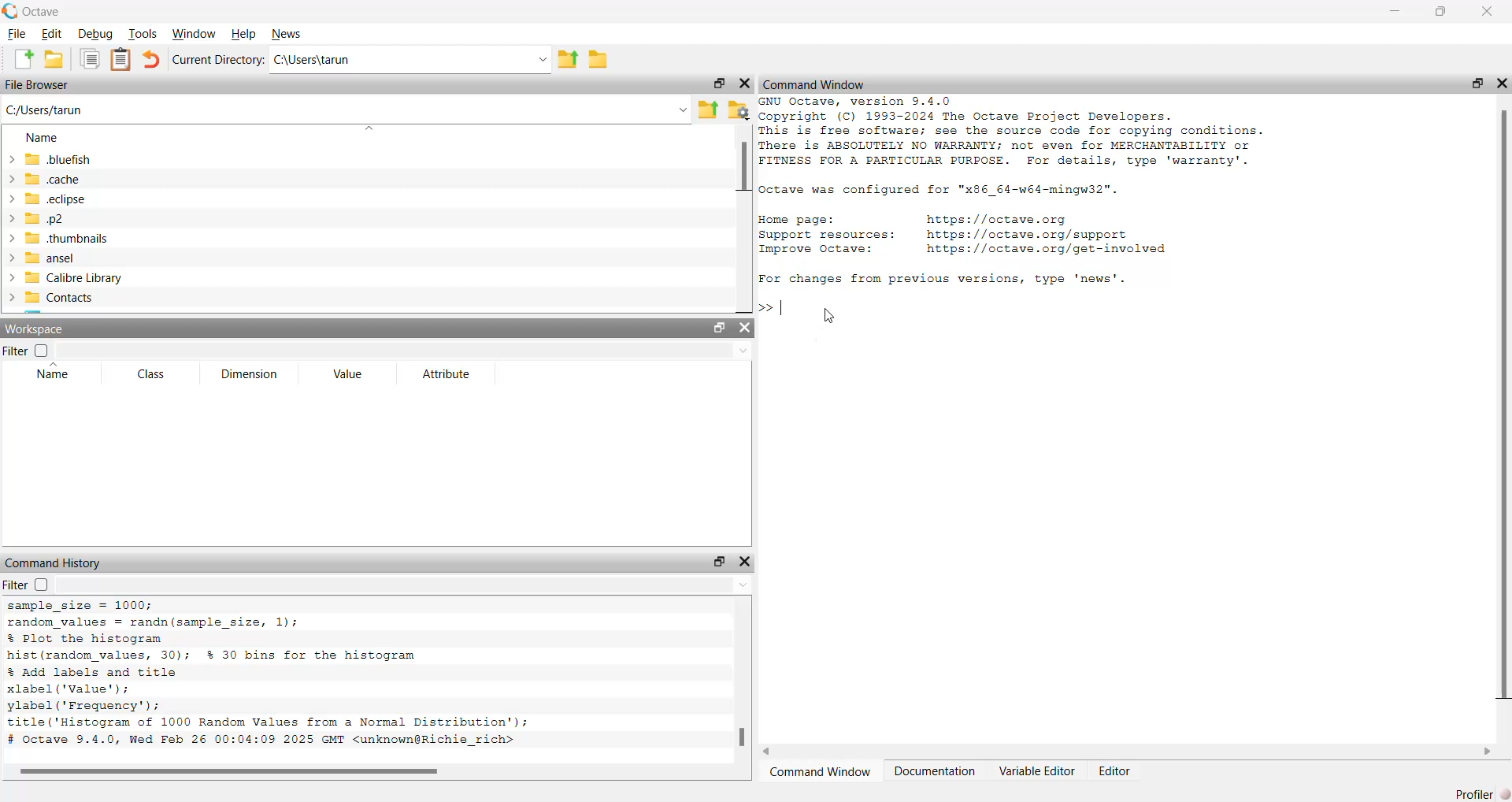 This screenshot has height=802, width=1512. What do you see at coordinates (43, 180) in the screenshot?
I see `.cache` at bounding box center [43, 180].